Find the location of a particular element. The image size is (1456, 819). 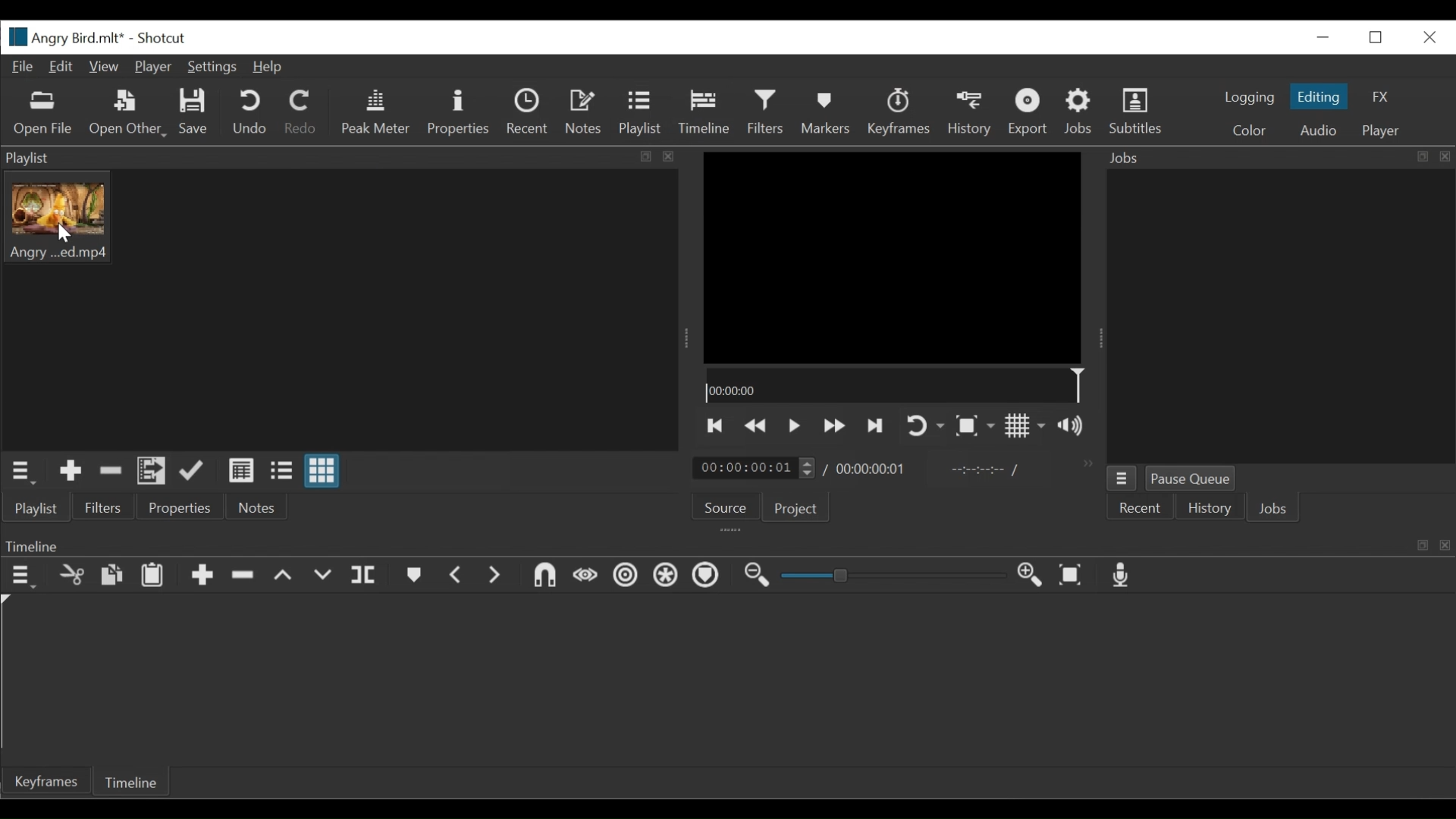

keyframes is located at coordinates (898, 112).